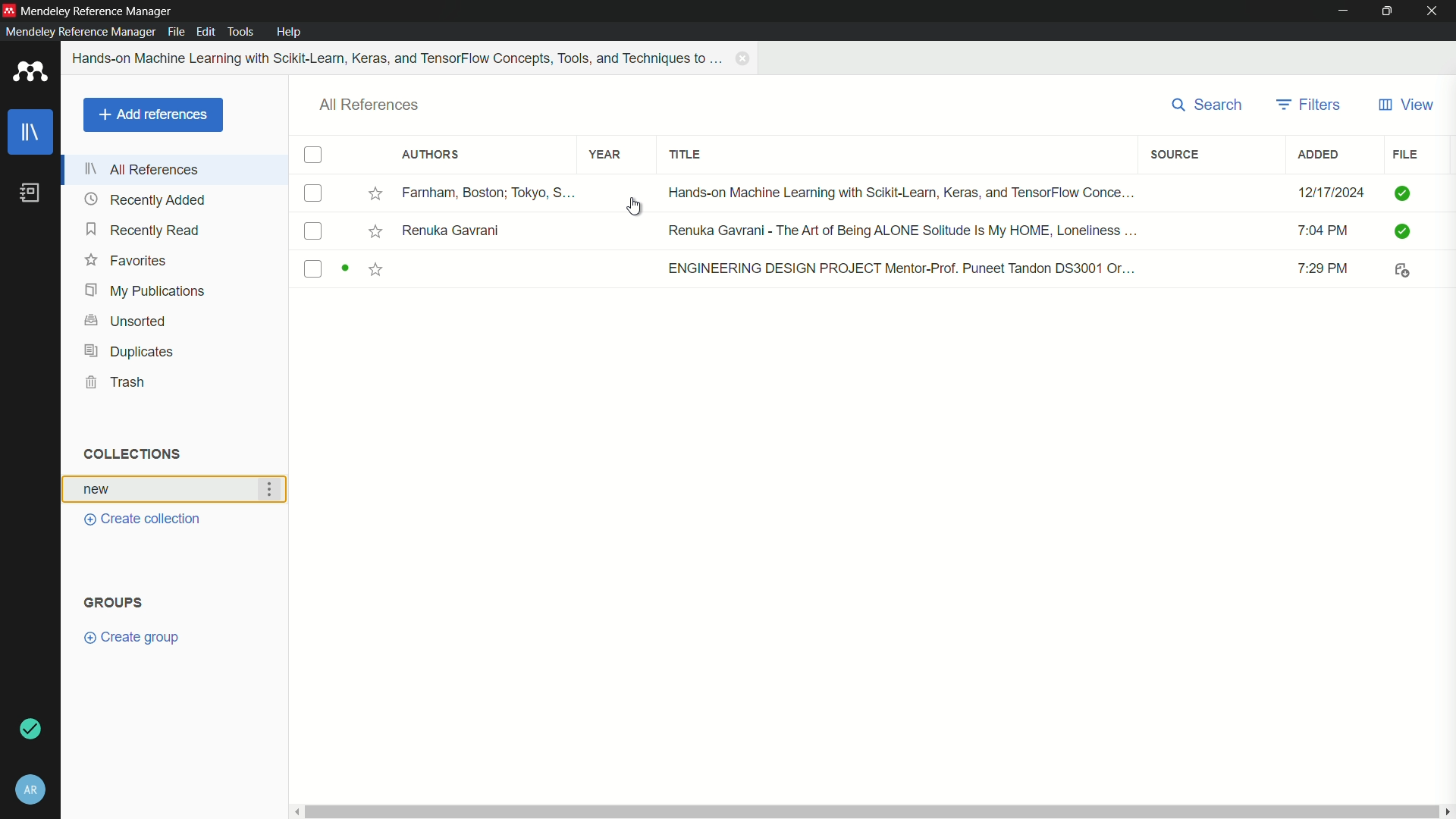 This screenshot has height=819, width=1456. Describe the element at coordinates (29, 730) in the screenshot. I see `sync` at that location.